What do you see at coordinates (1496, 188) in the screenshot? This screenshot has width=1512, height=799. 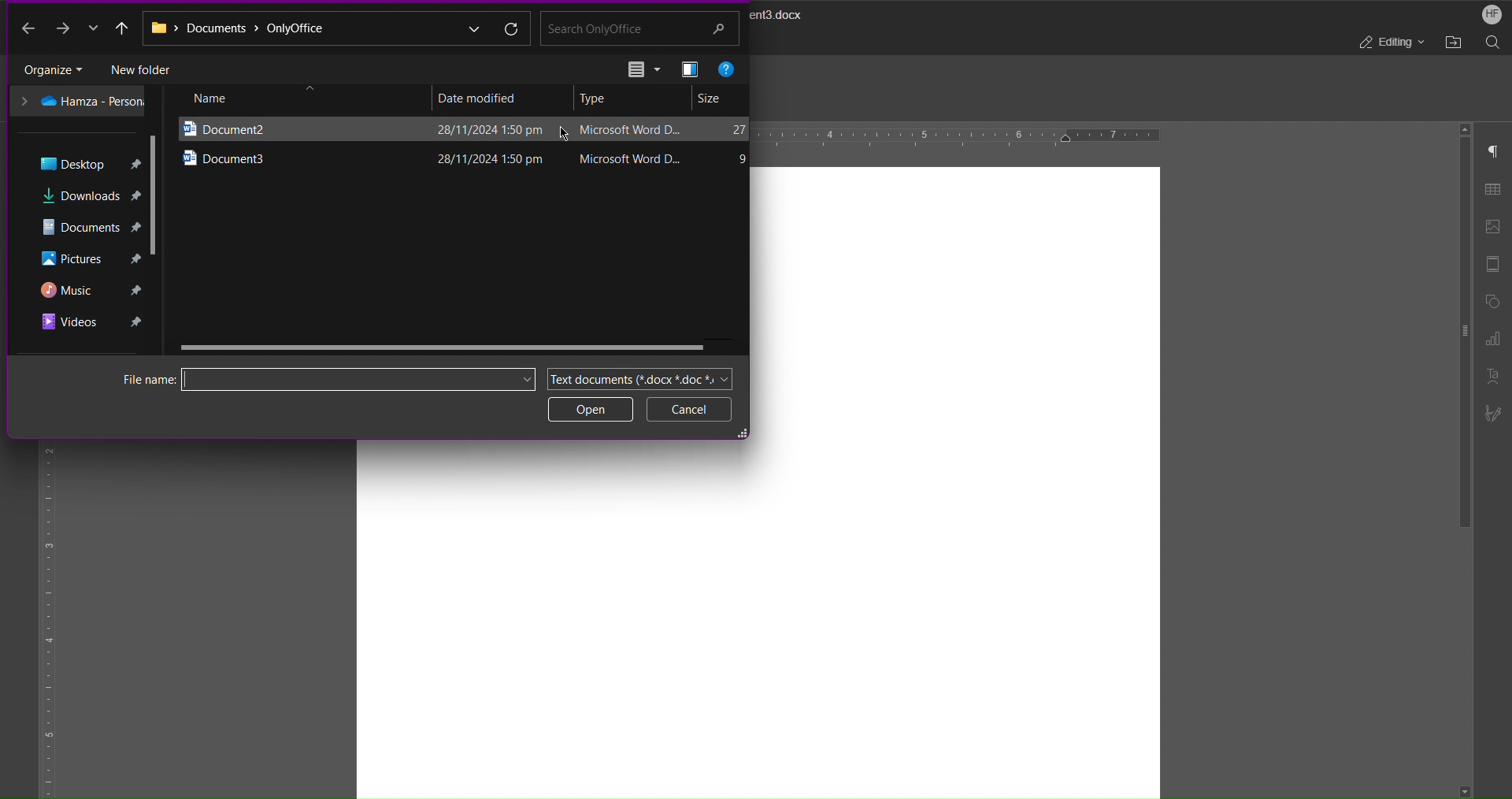 I see `Table Settings` at bounding box center [1496, 188].